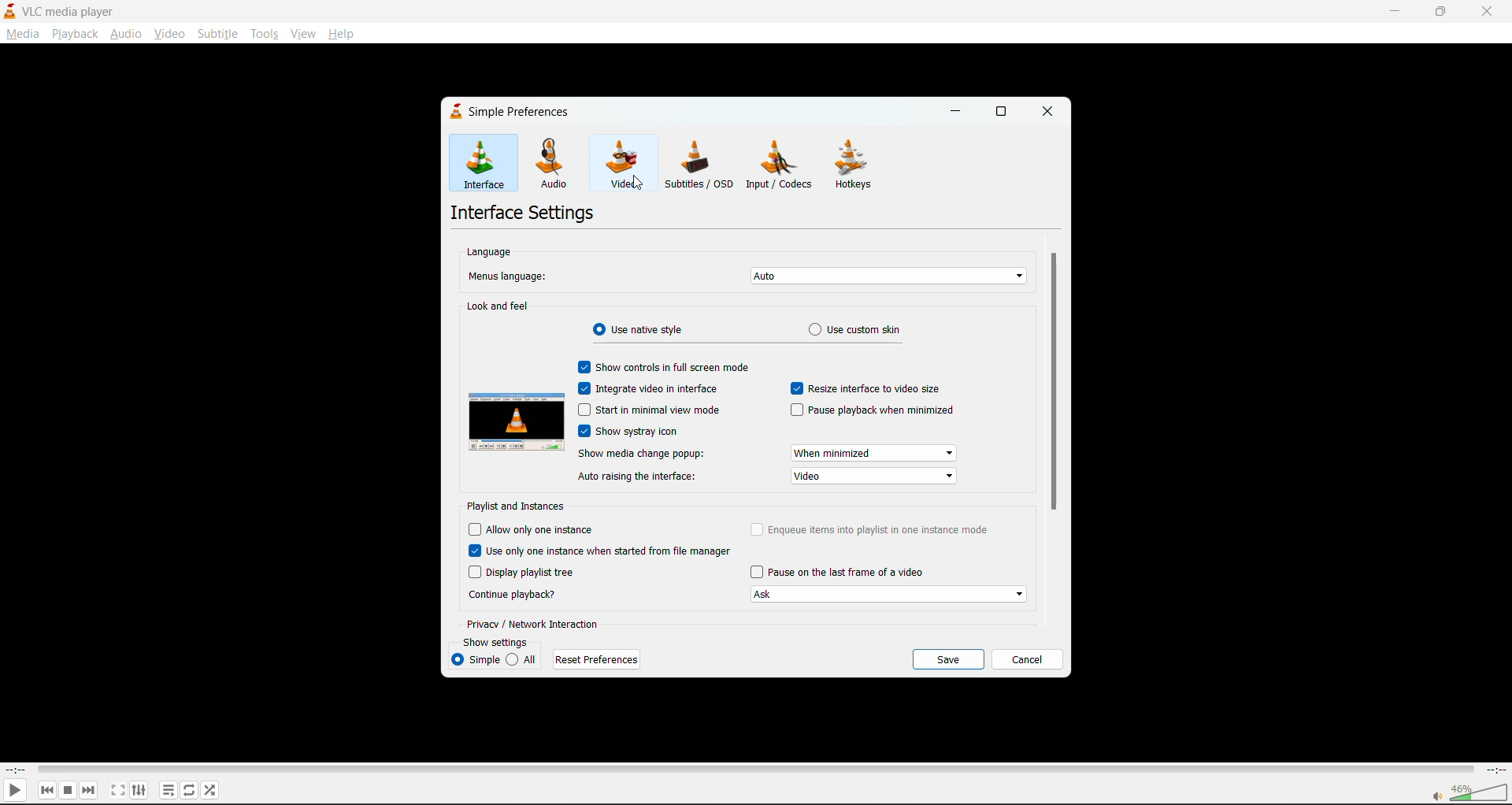 The image size is (1512, 805). I want to click on save, so click(946, 659).